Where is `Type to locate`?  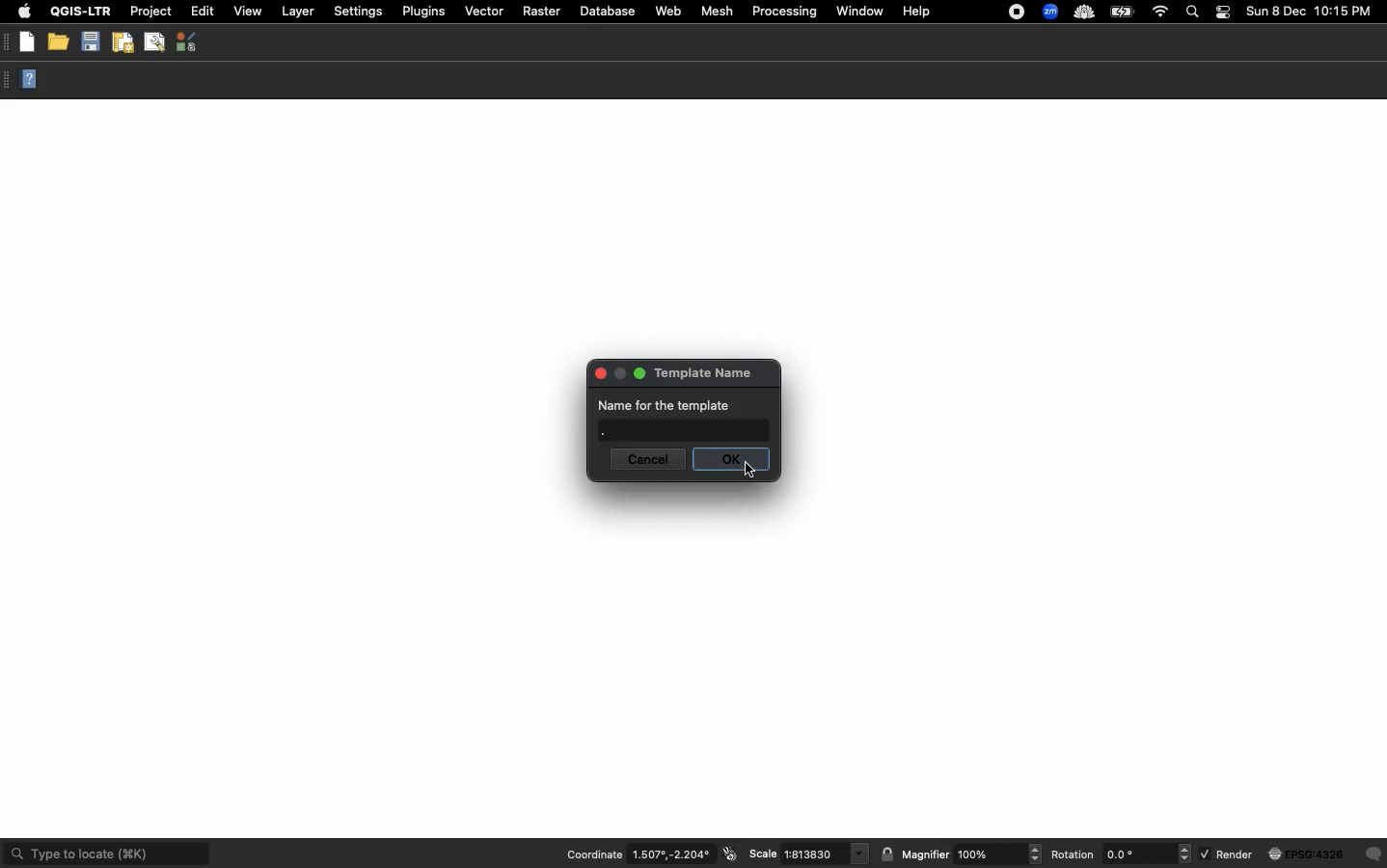
Type to locate is located at coordinates (106, 852).